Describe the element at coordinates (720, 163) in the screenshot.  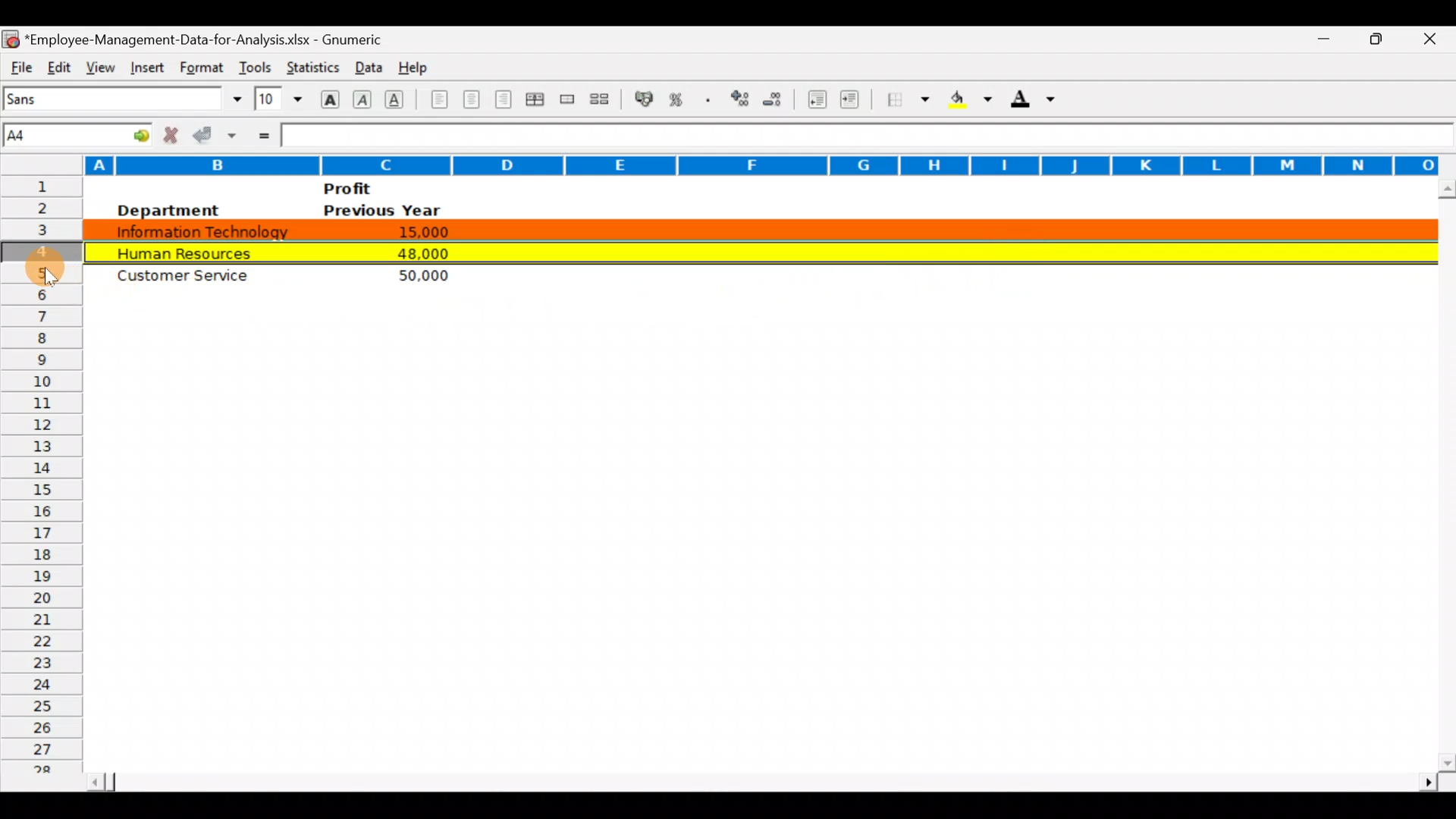
I see `Columns` at that location.